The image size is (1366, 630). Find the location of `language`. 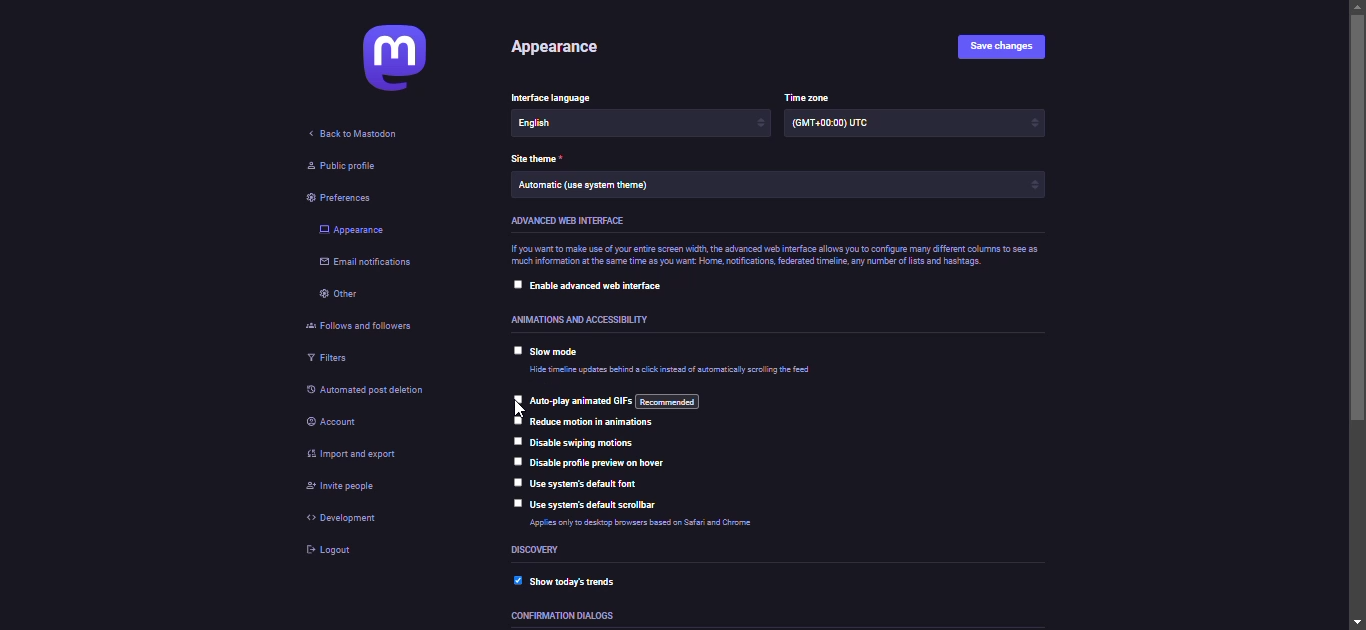

language is located at coordinates (552, 94).